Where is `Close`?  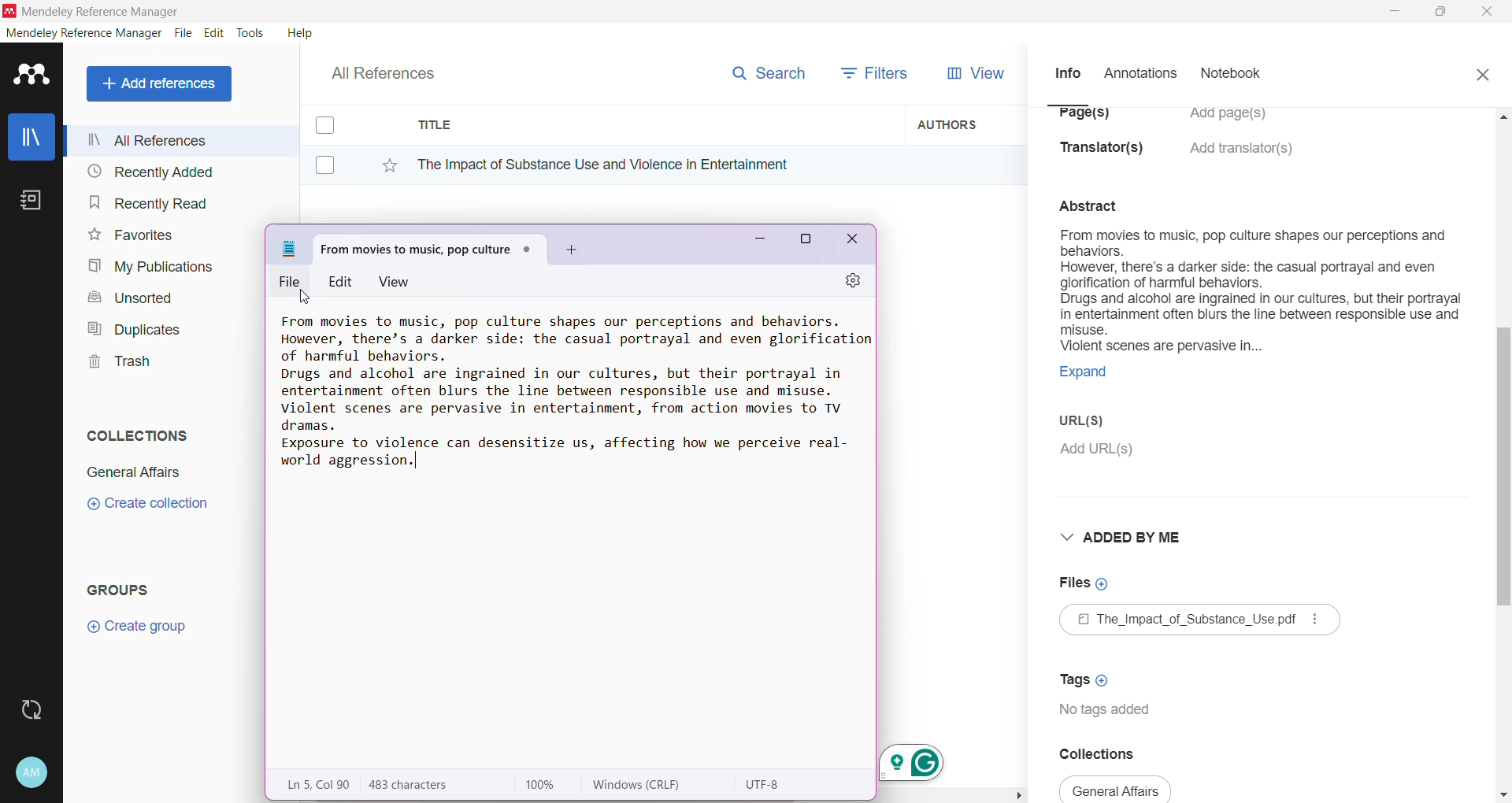 Close is located at coordinates (1488, 13).